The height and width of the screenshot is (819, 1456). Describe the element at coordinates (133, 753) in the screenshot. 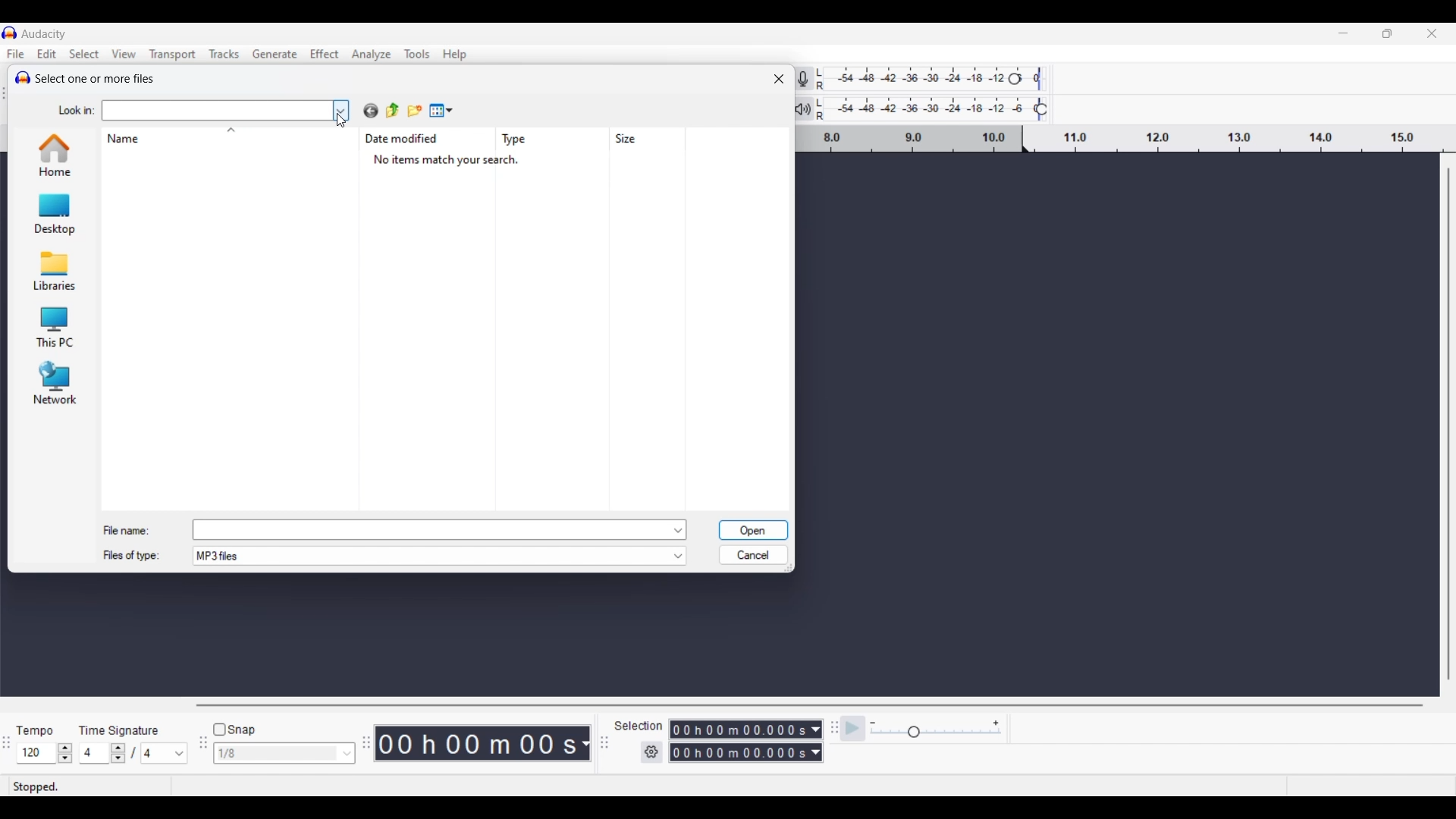

I see `4/4 (select time signature)` at that location.